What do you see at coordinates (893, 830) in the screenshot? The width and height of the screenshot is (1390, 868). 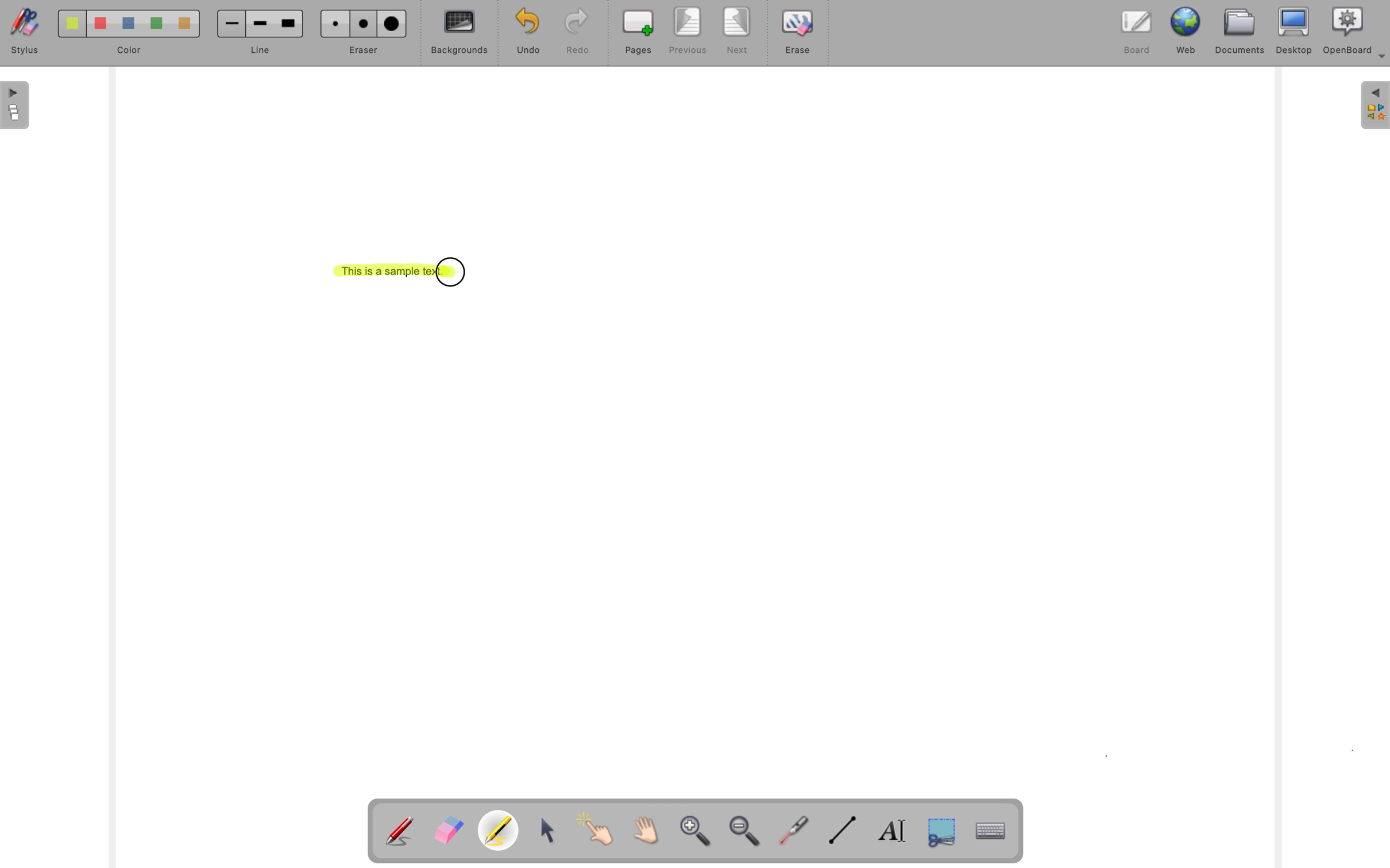 I see `write text` at bounding box center [893, 830].